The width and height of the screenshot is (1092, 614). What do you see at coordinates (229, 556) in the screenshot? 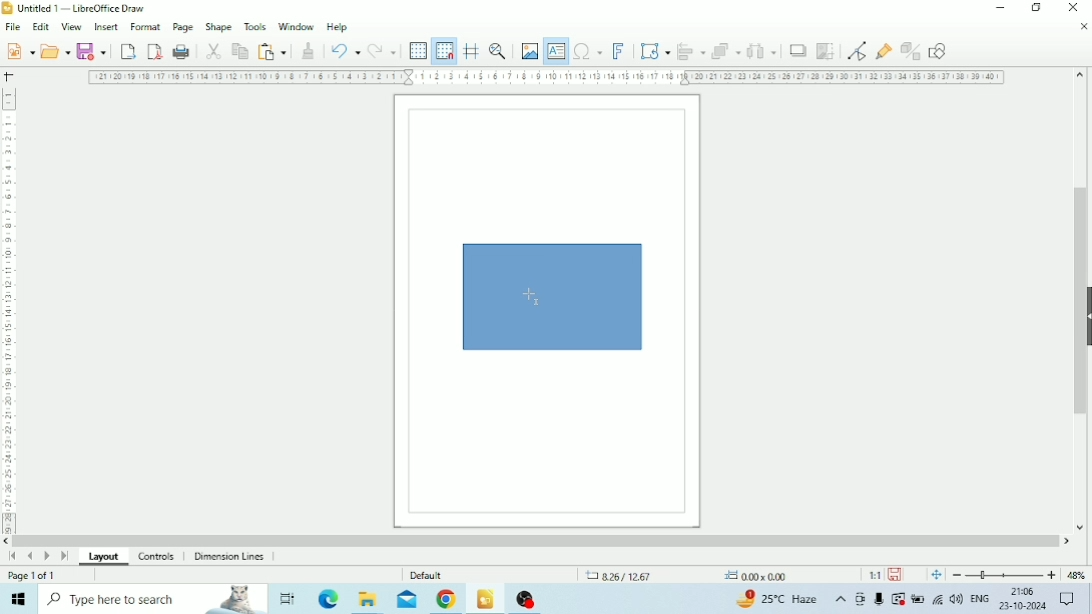
I see `Dimension Lines` at bounding box center [229, 556].